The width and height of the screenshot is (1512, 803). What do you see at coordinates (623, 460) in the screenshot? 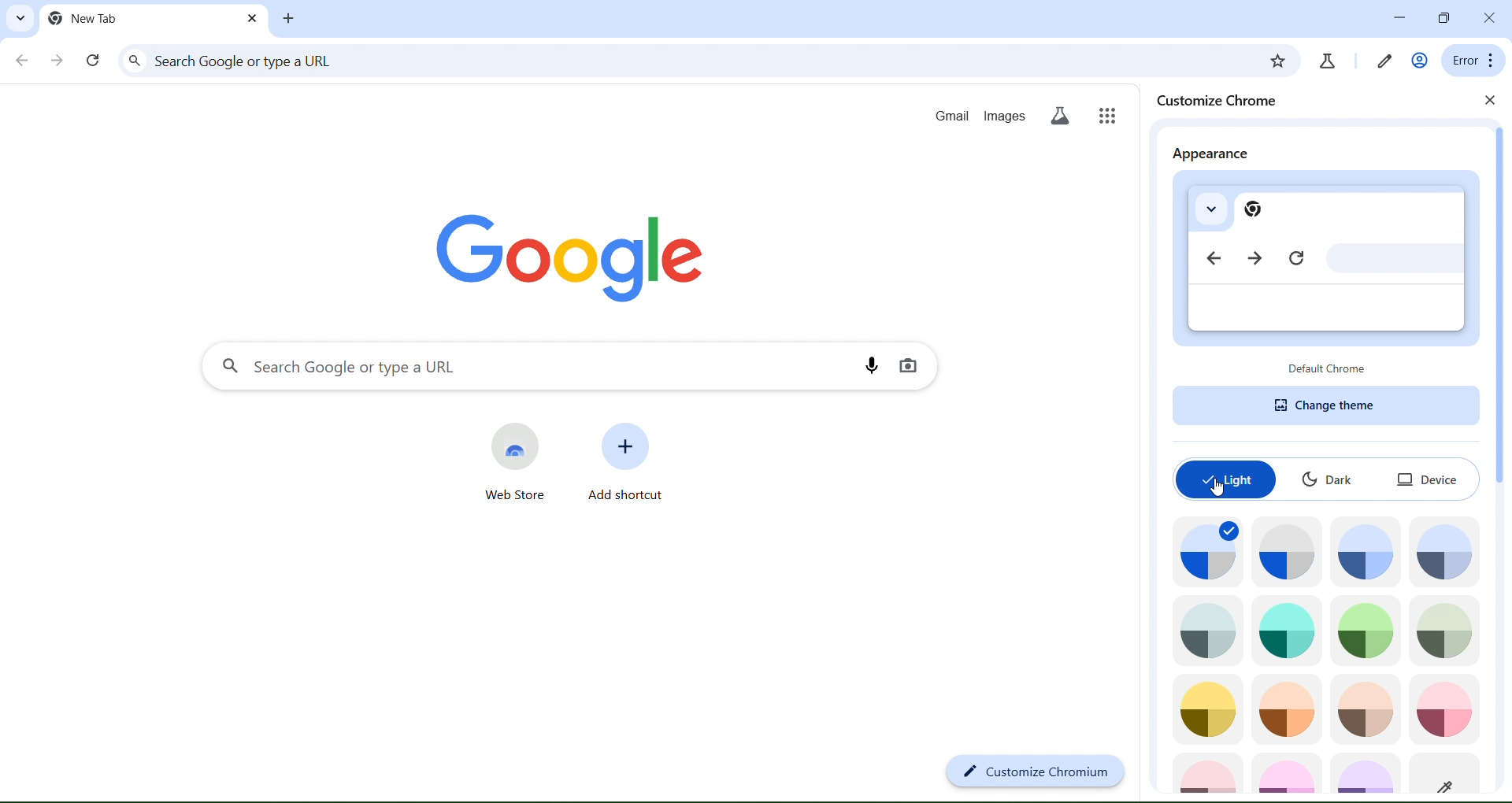
I see `add shortcut` at bounding box center [623, 460].